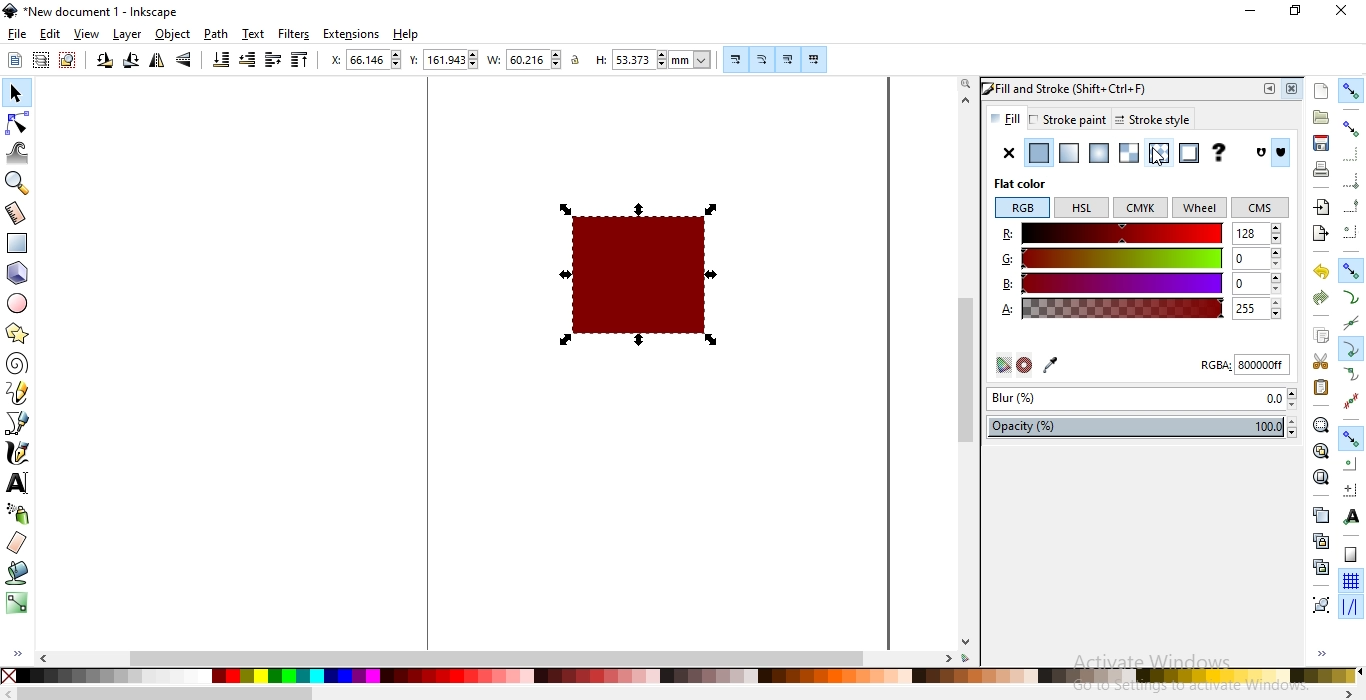 The width and height of the screenshot is (1366, 700). What do you see at coordinates (1218, 153) in the screenshot?
I see `unset paint` at bounding box center [1218, 153].